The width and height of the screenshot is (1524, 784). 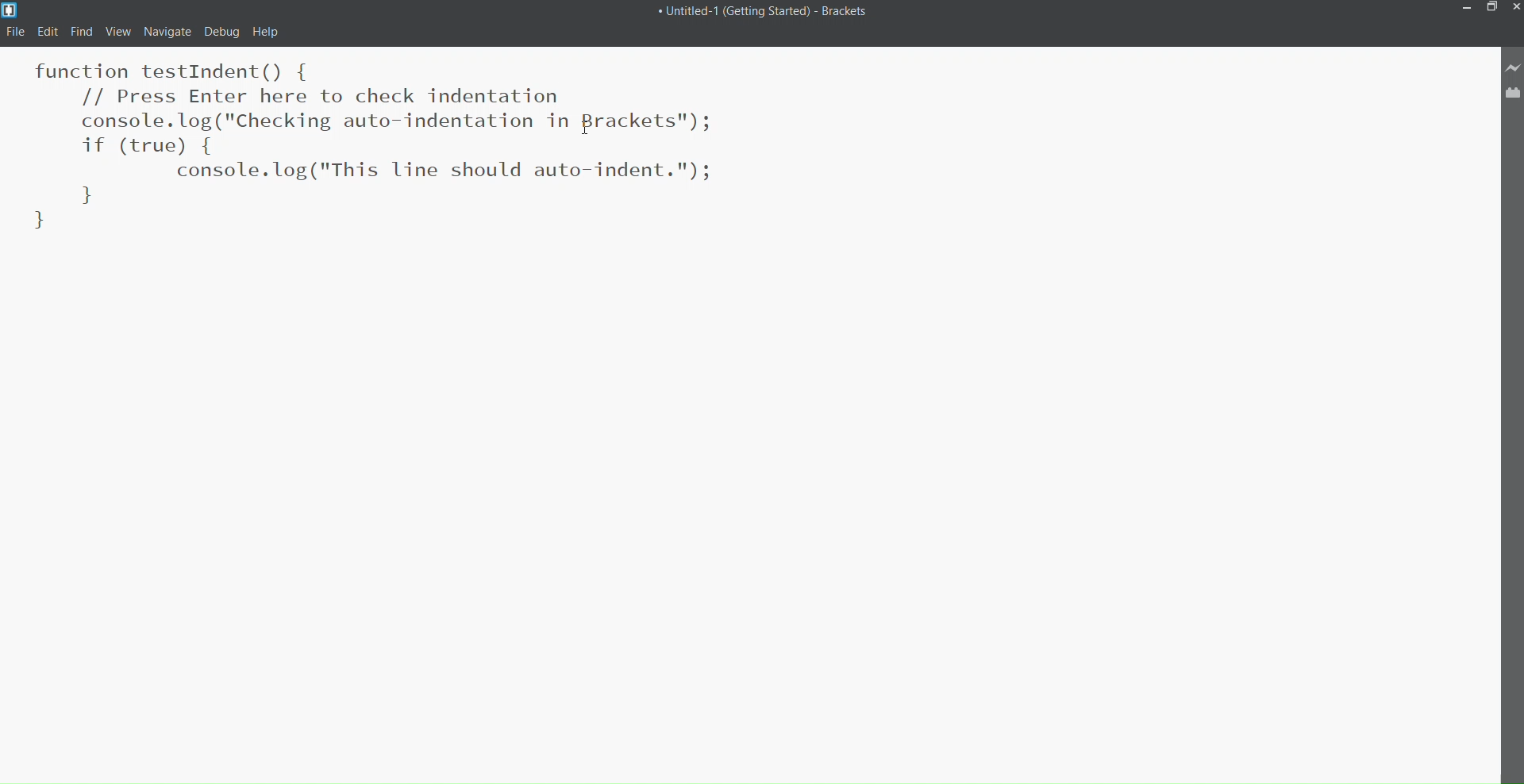 I want to click on help, so click(x=266, y=33).